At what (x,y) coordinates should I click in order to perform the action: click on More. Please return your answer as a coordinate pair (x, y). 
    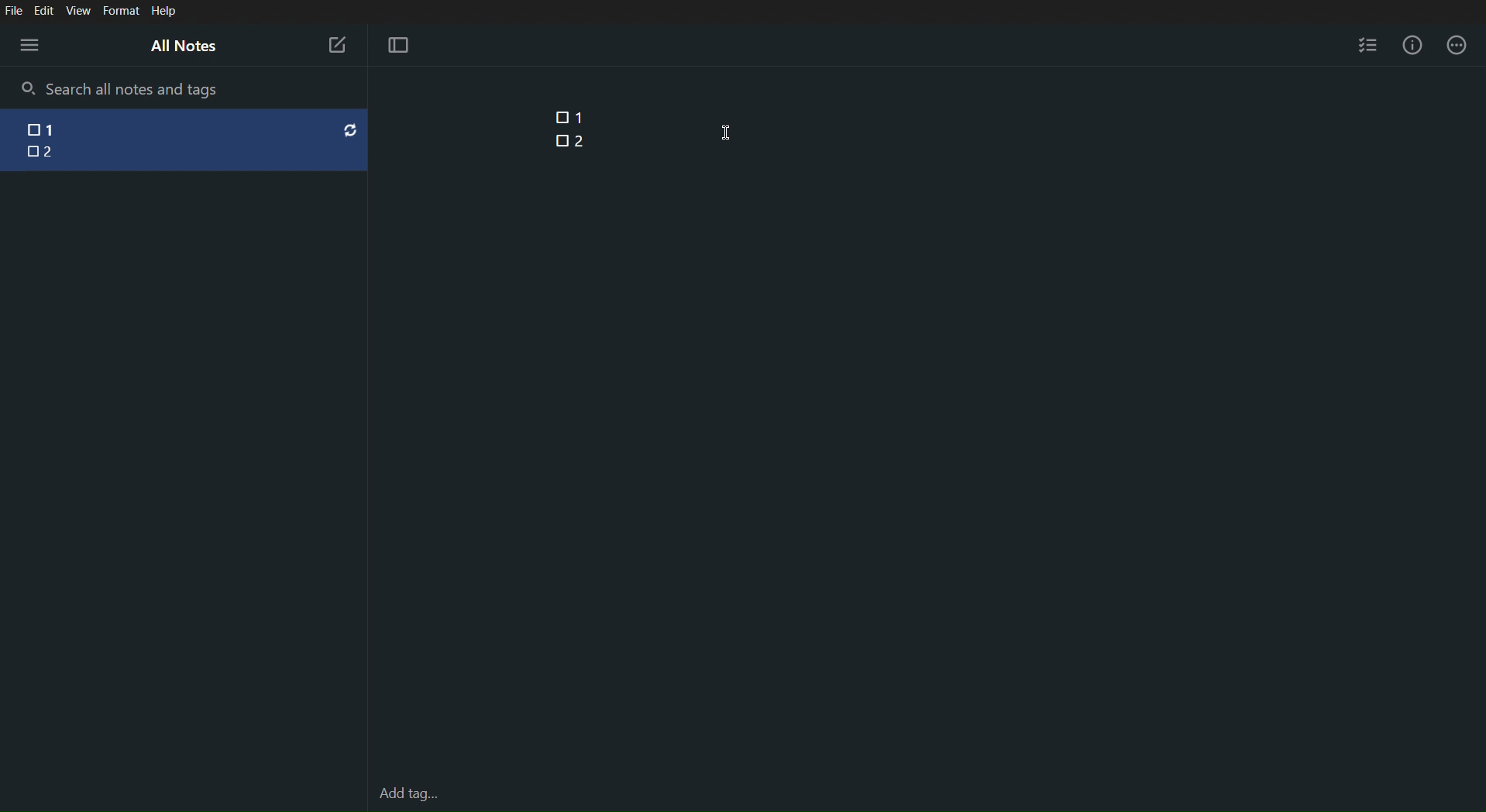
    Looking at the image, I should click on (1457, 45).